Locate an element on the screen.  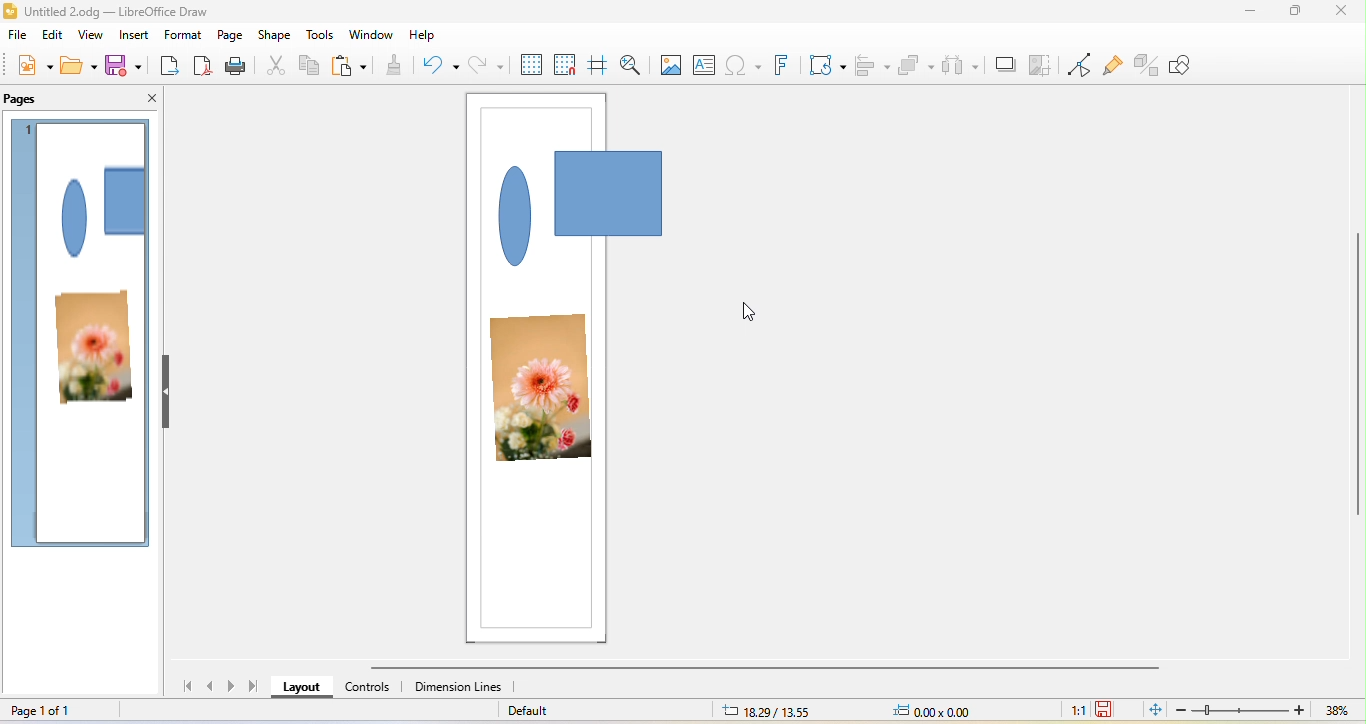
cut is located at coordinates (279, 68).